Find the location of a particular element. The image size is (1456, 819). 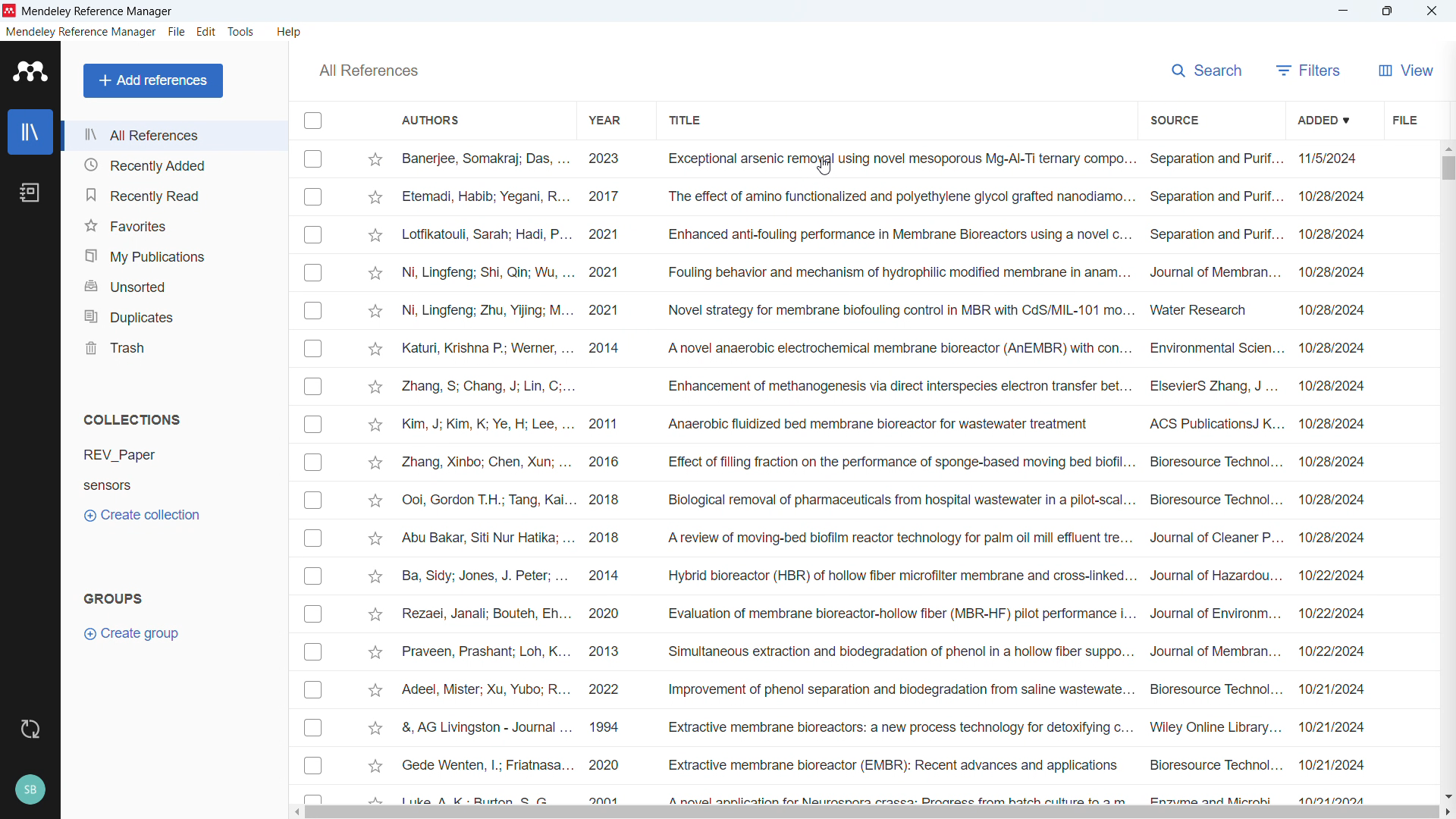

click to select individual entry is located at coordinates (315, 692).